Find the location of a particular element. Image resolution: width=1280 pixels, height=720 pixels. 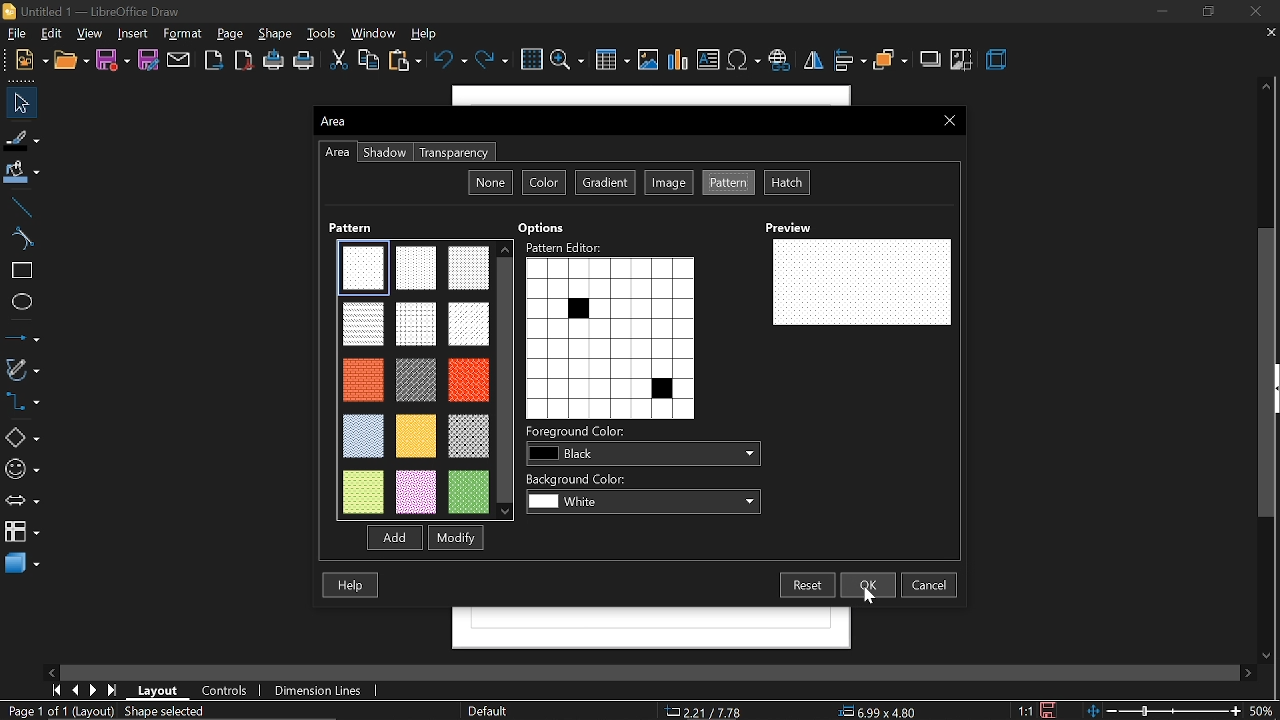

insert text is located at coordinates (708, 60).